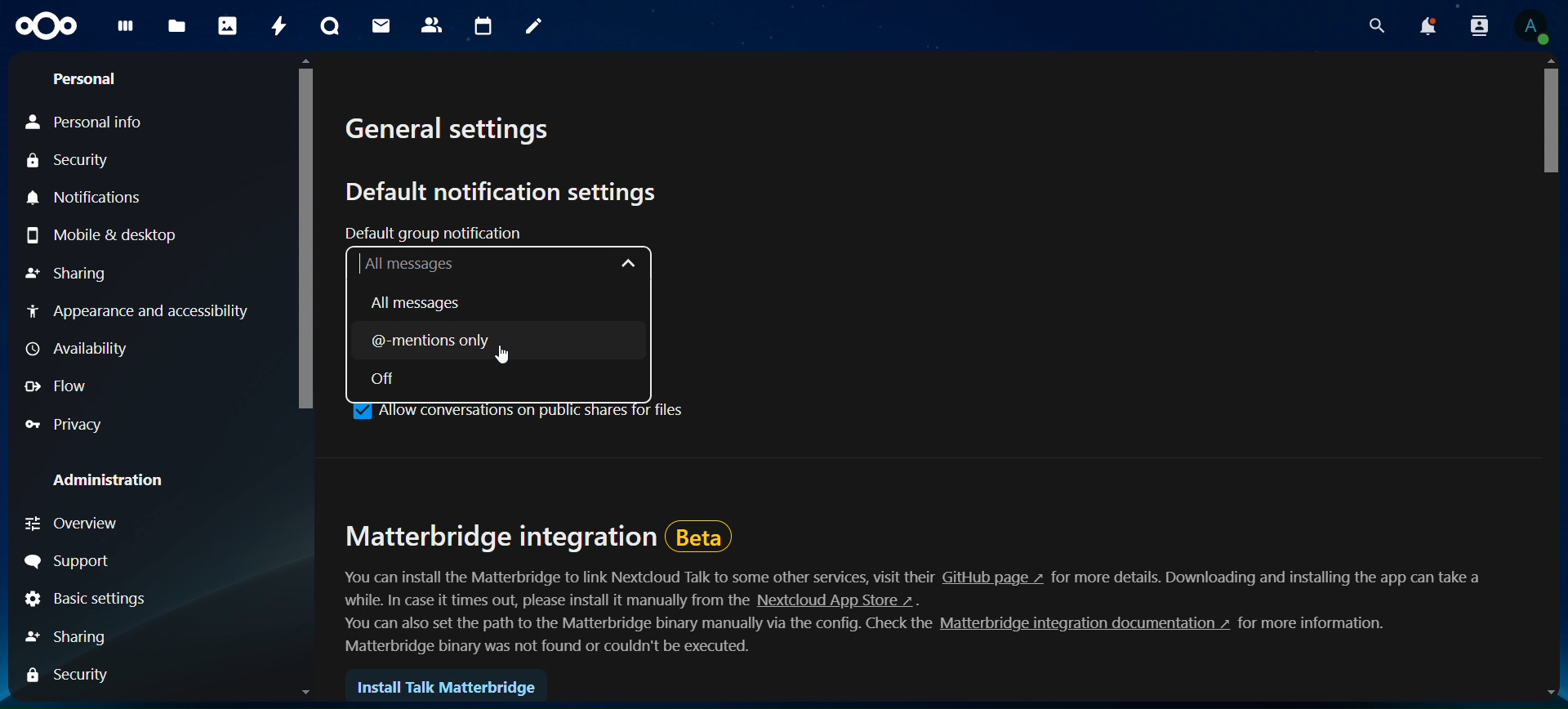 Image resolution: width=1568 pixels, height=709 pixels. Describe the element at coordinates (444, 233) in the screenshot. I see `default group notification` at that location.